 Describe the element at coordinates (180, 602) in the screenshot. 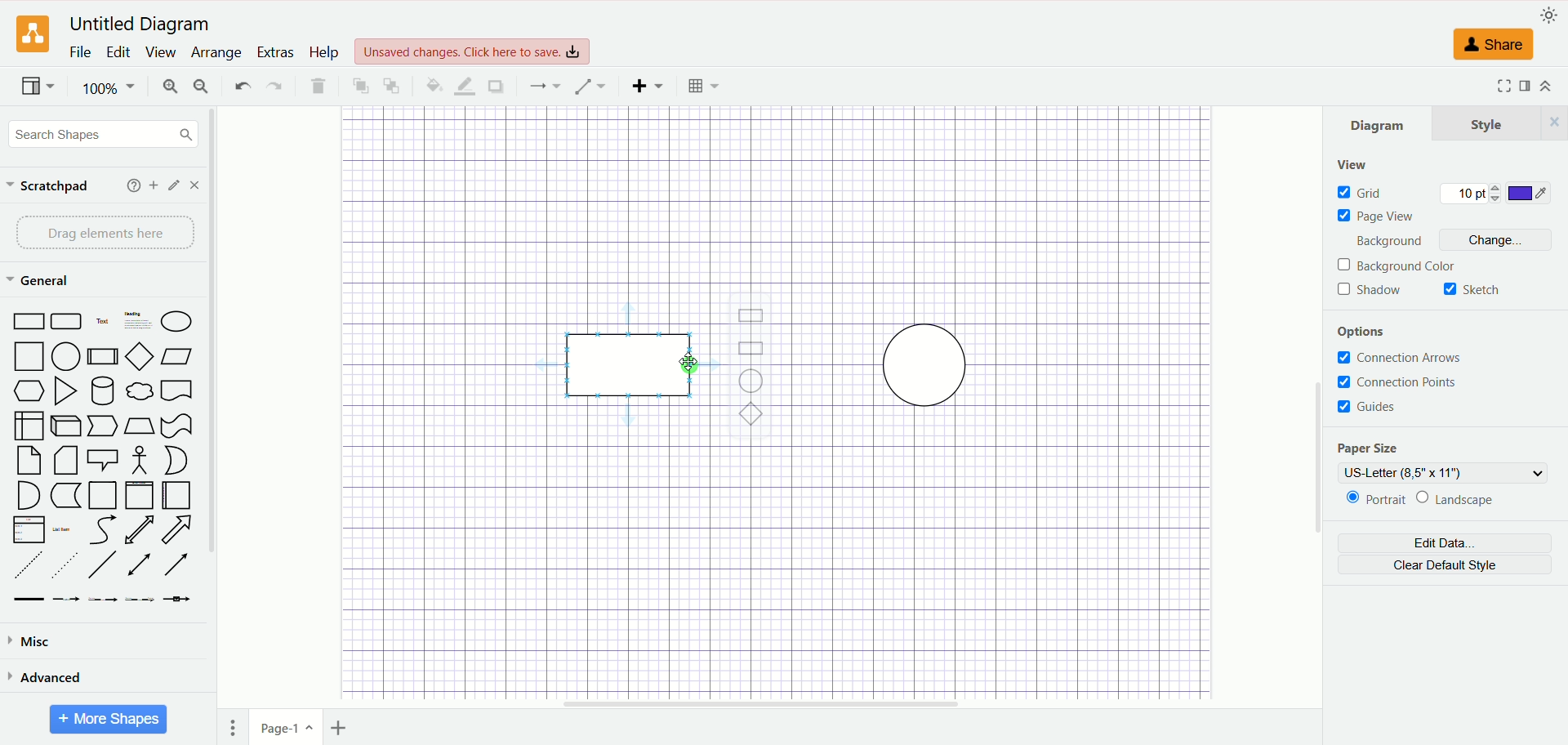

I see `Connector with Icon Symbol` at that location.